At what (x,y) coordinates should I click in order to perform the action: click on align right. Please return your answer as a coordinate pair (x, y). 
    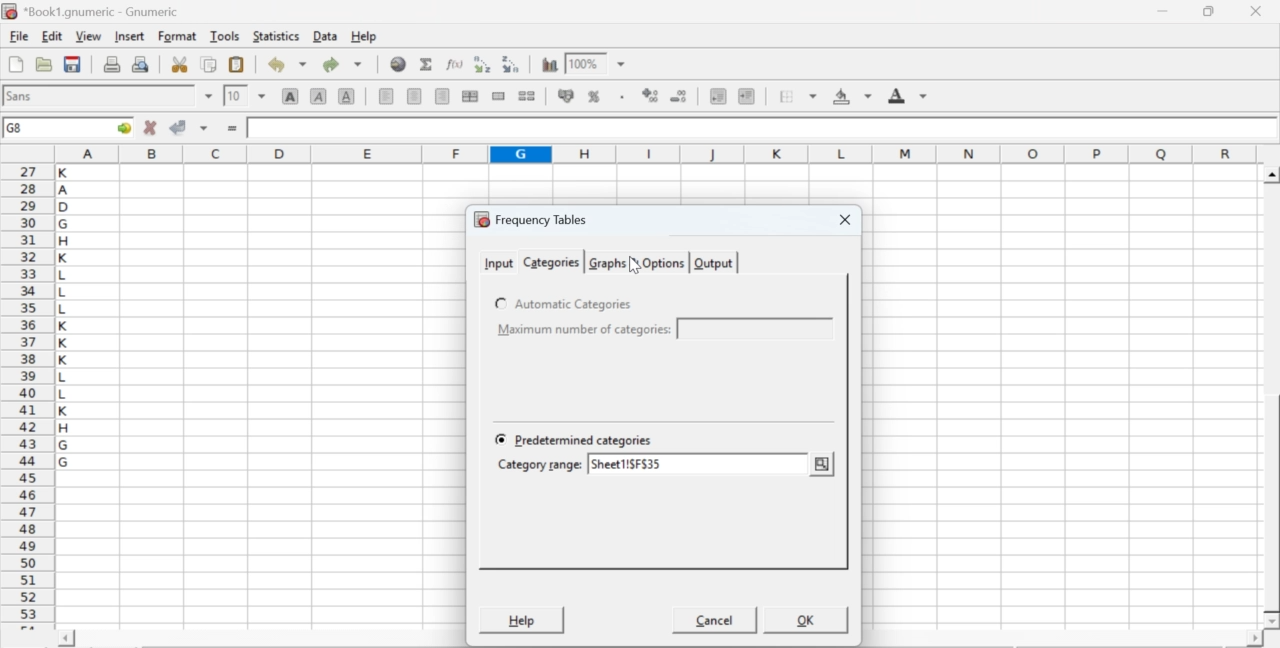
    Looking at the image, I should click on (442, 97).